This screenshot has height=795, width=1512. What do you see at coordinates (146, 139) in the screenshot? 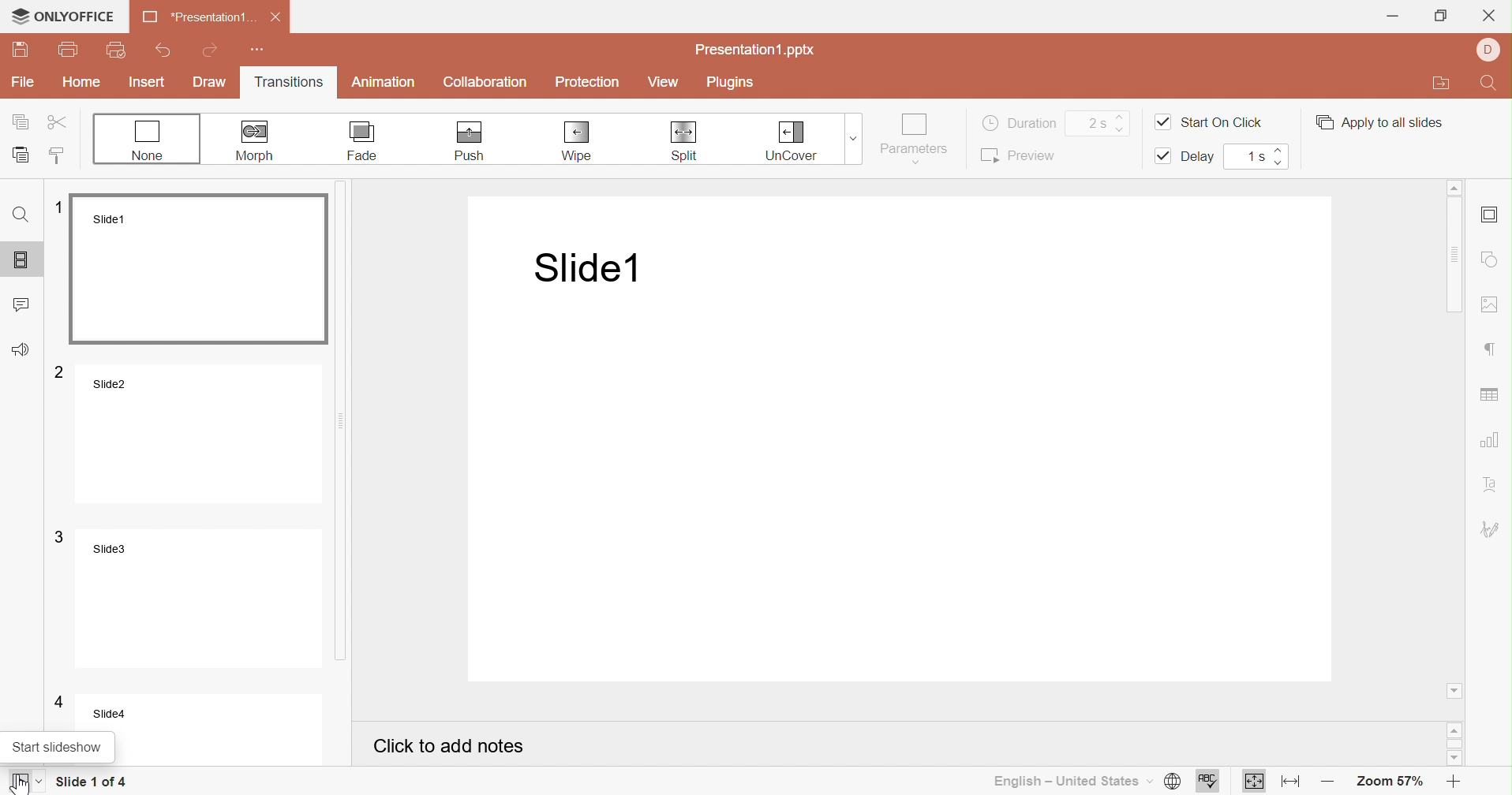
I see `None` at bounding box center [146, 139].